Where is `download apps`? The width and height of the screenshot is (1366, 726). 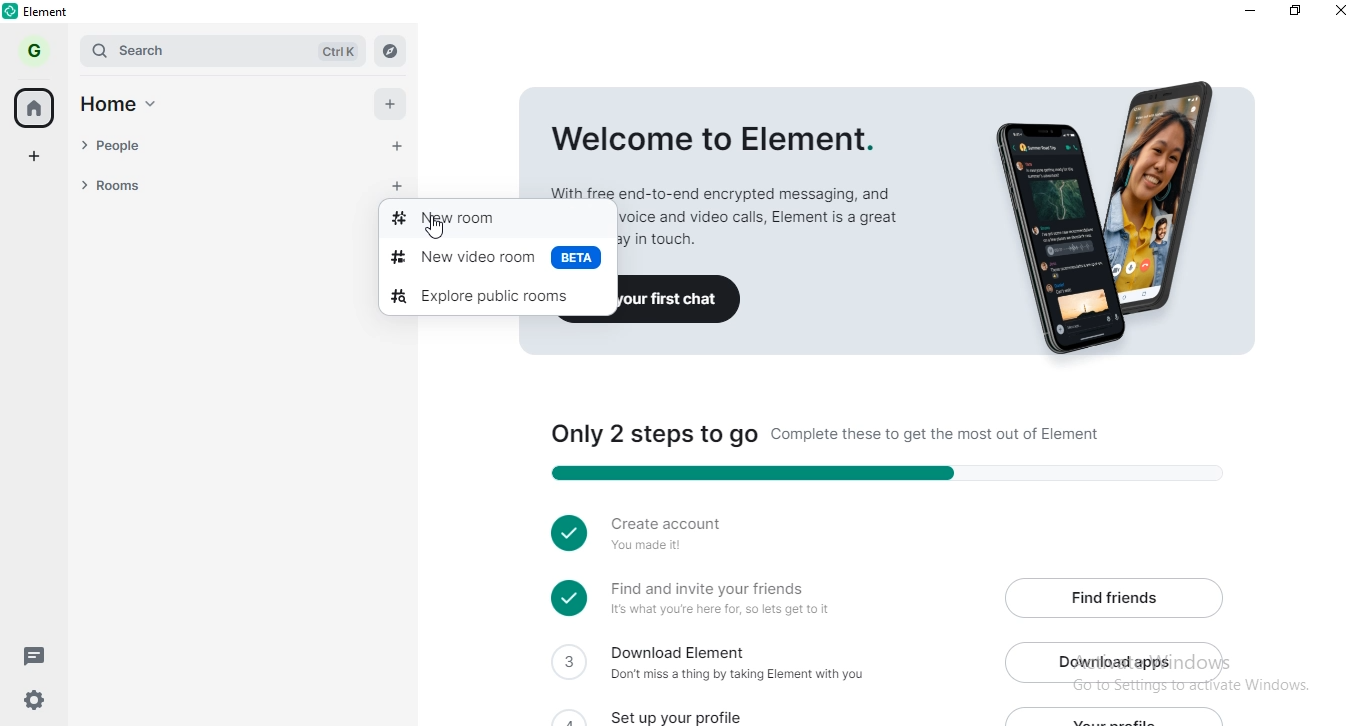
download apps is located at coordinates (1116, 660).